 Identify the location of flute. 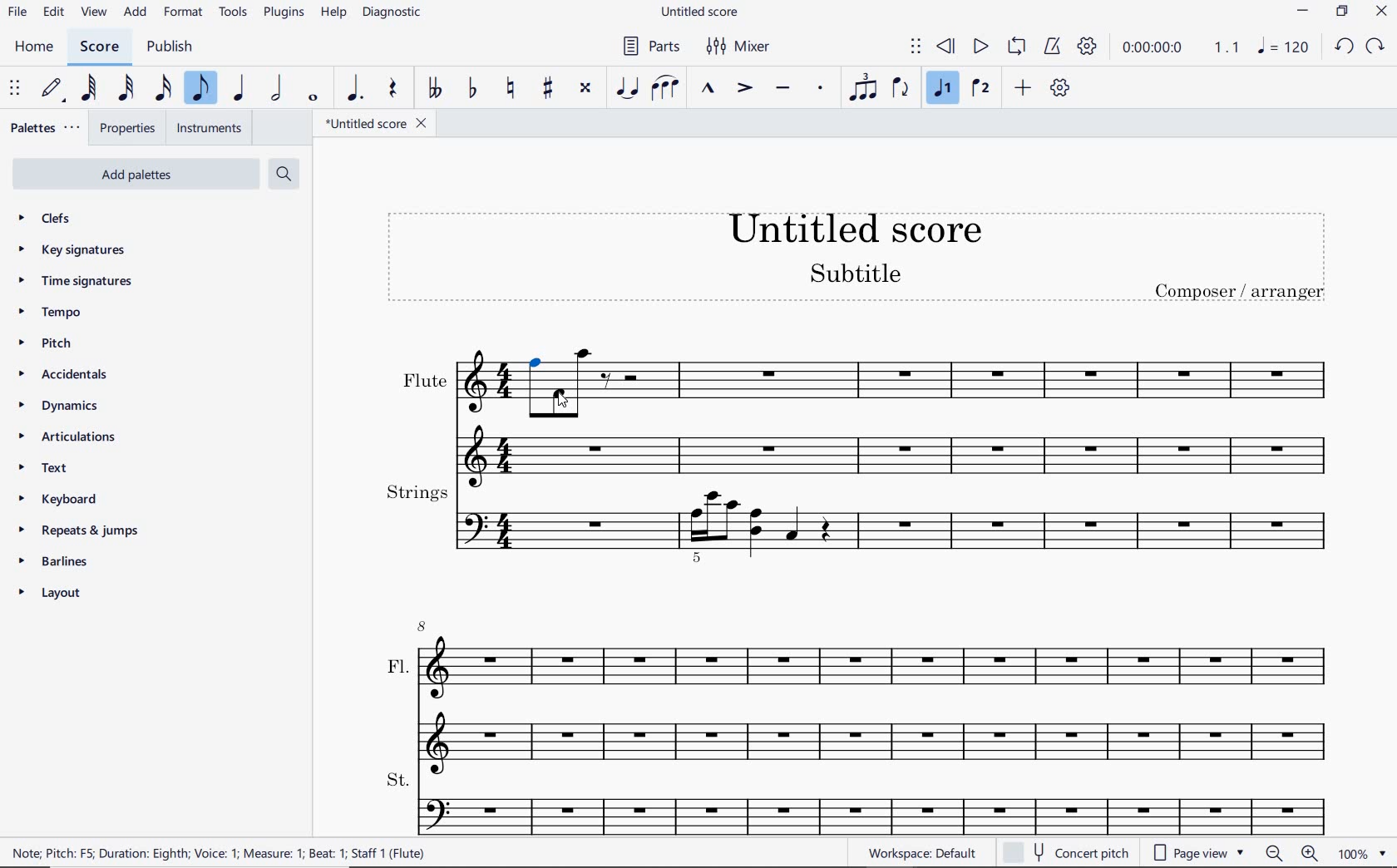
(856, 413).